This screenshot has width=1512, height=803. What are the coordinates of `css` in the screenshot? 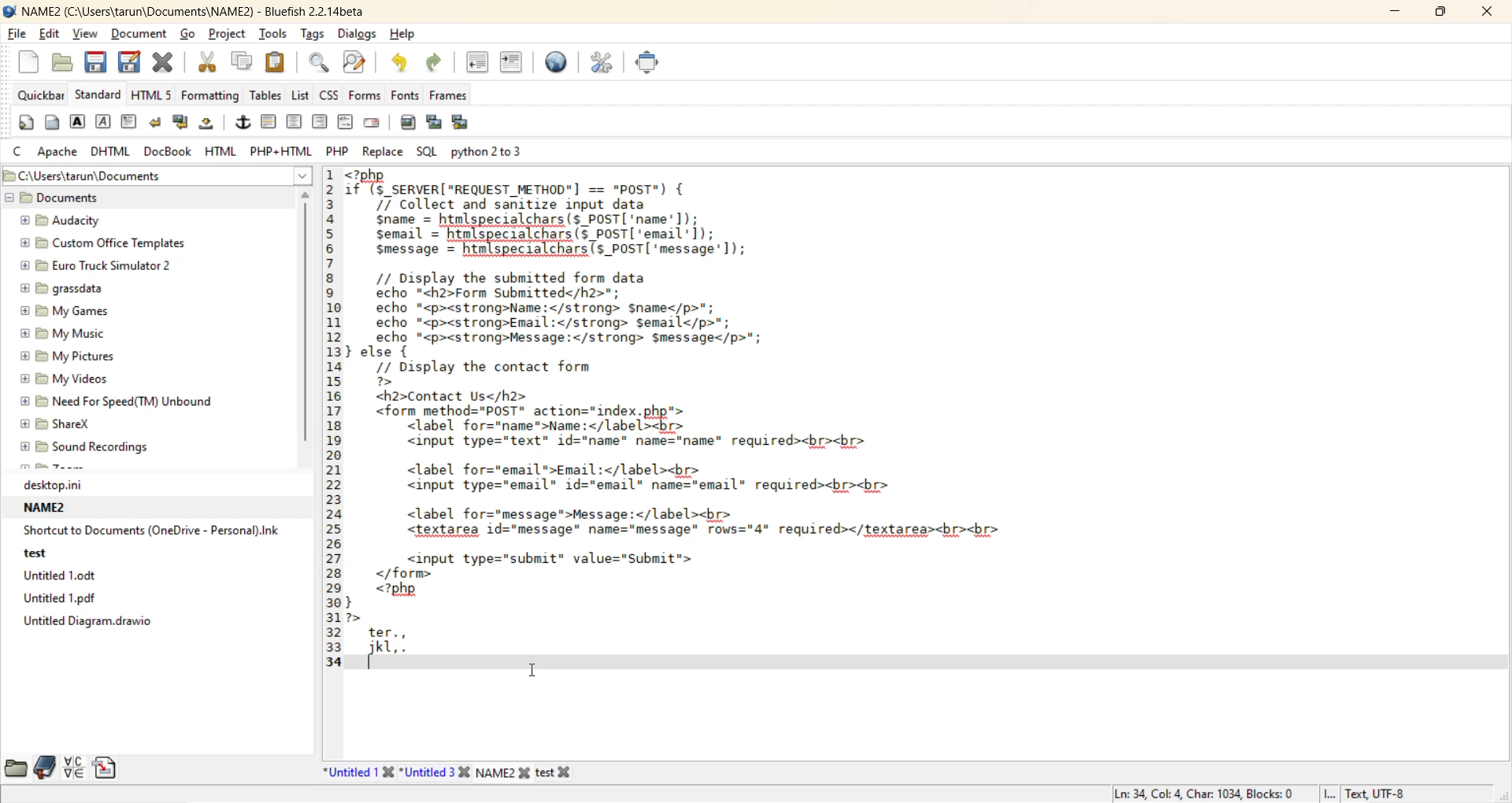 It's located at (331, 94).